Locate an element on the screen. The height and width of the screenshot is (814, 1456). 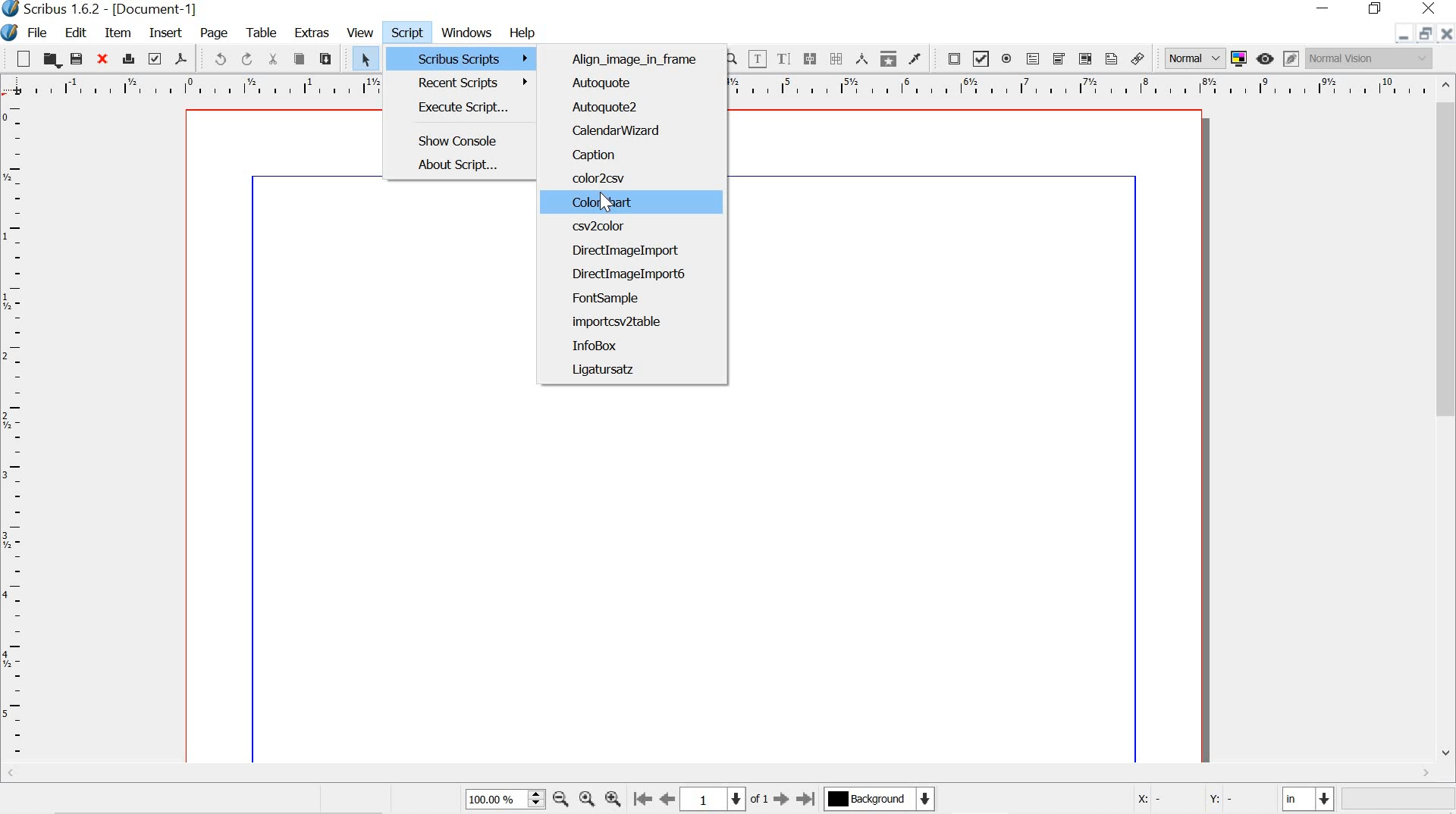
cut is located at coordinates (275, 58).